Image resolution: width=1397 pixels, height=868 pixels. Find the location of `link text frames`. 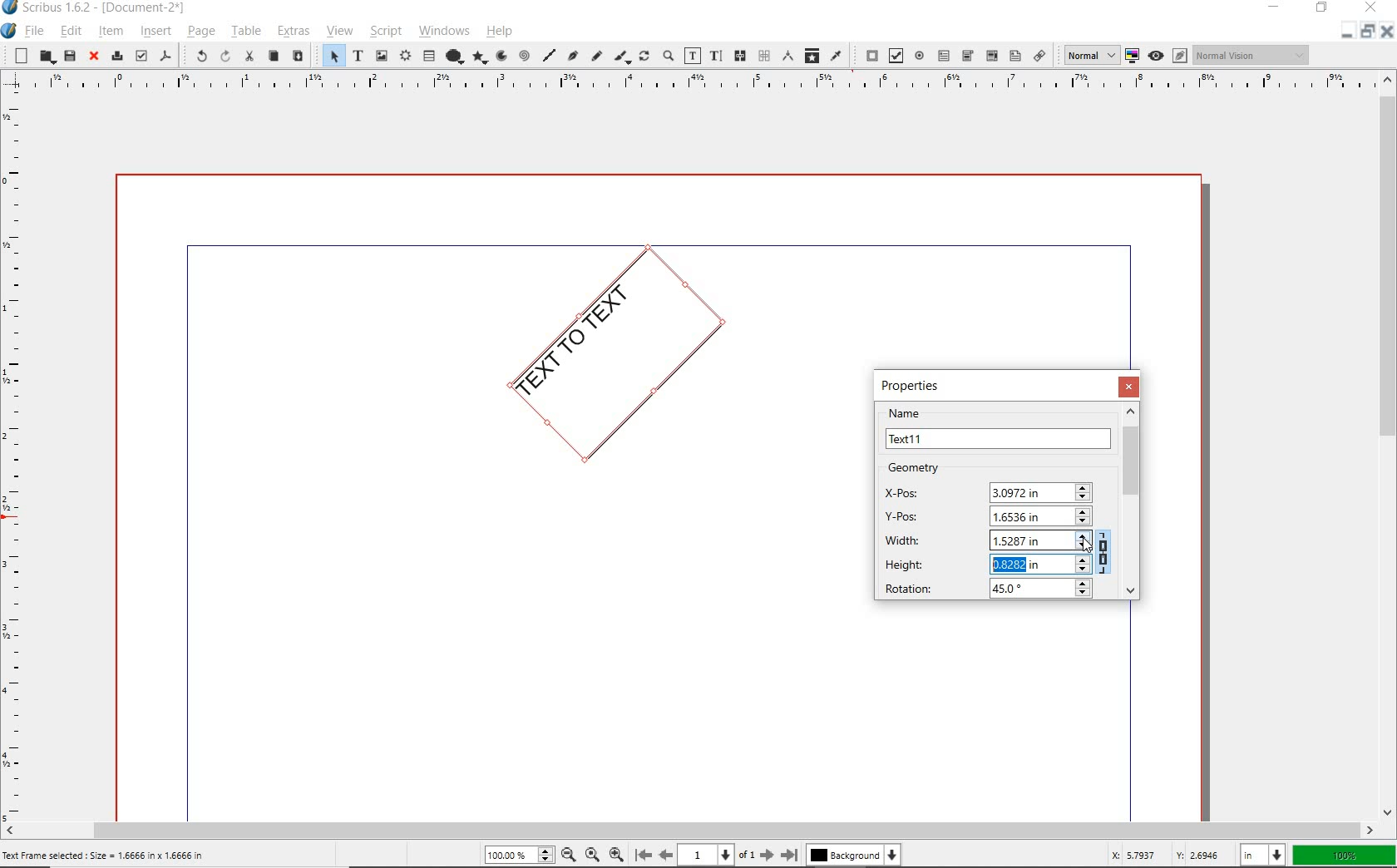

link text frames is located at coordinates (740, 56).